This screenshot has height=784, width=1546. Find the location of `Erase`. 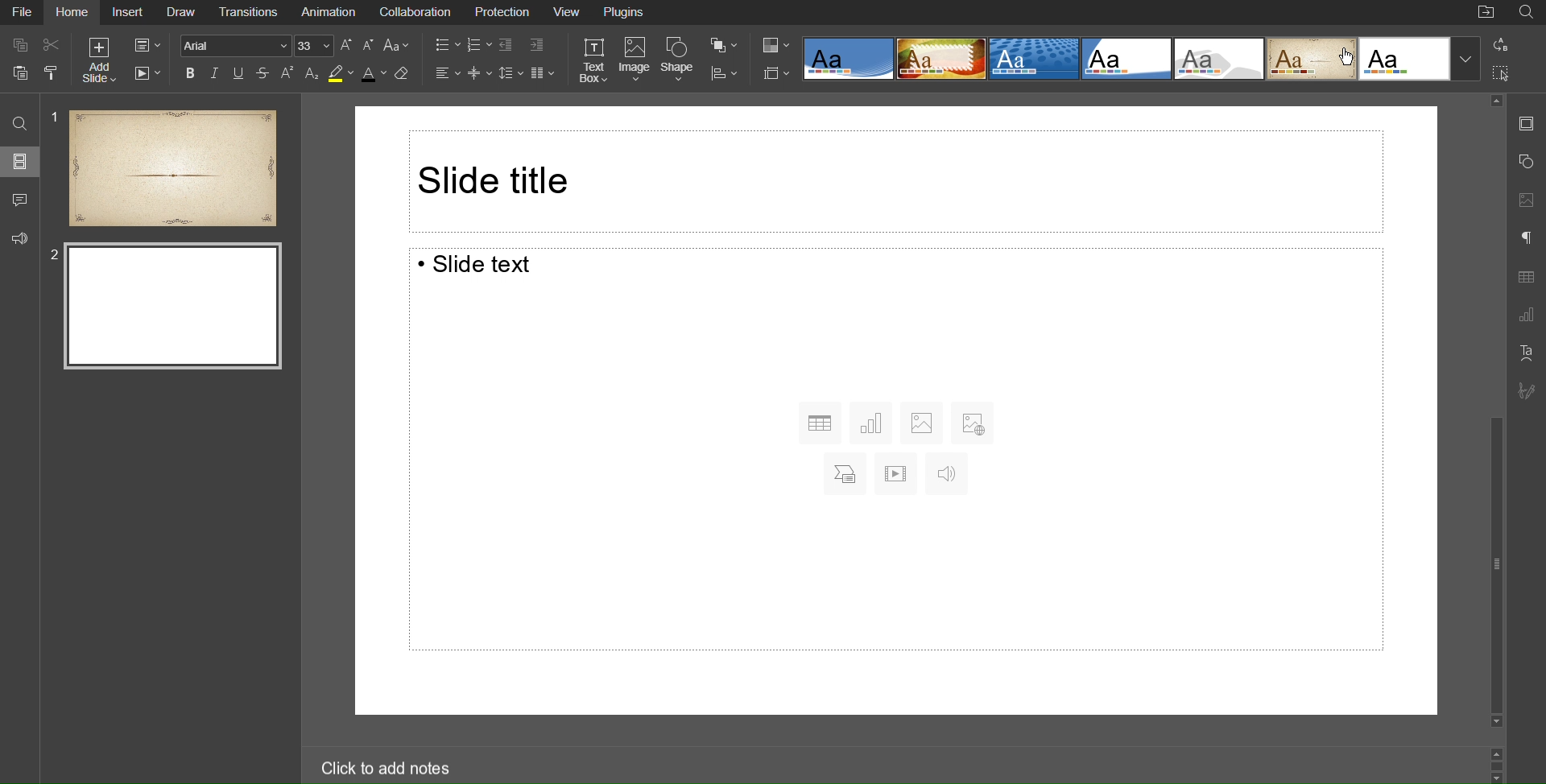

Erase is located at coordinates (404, 73).